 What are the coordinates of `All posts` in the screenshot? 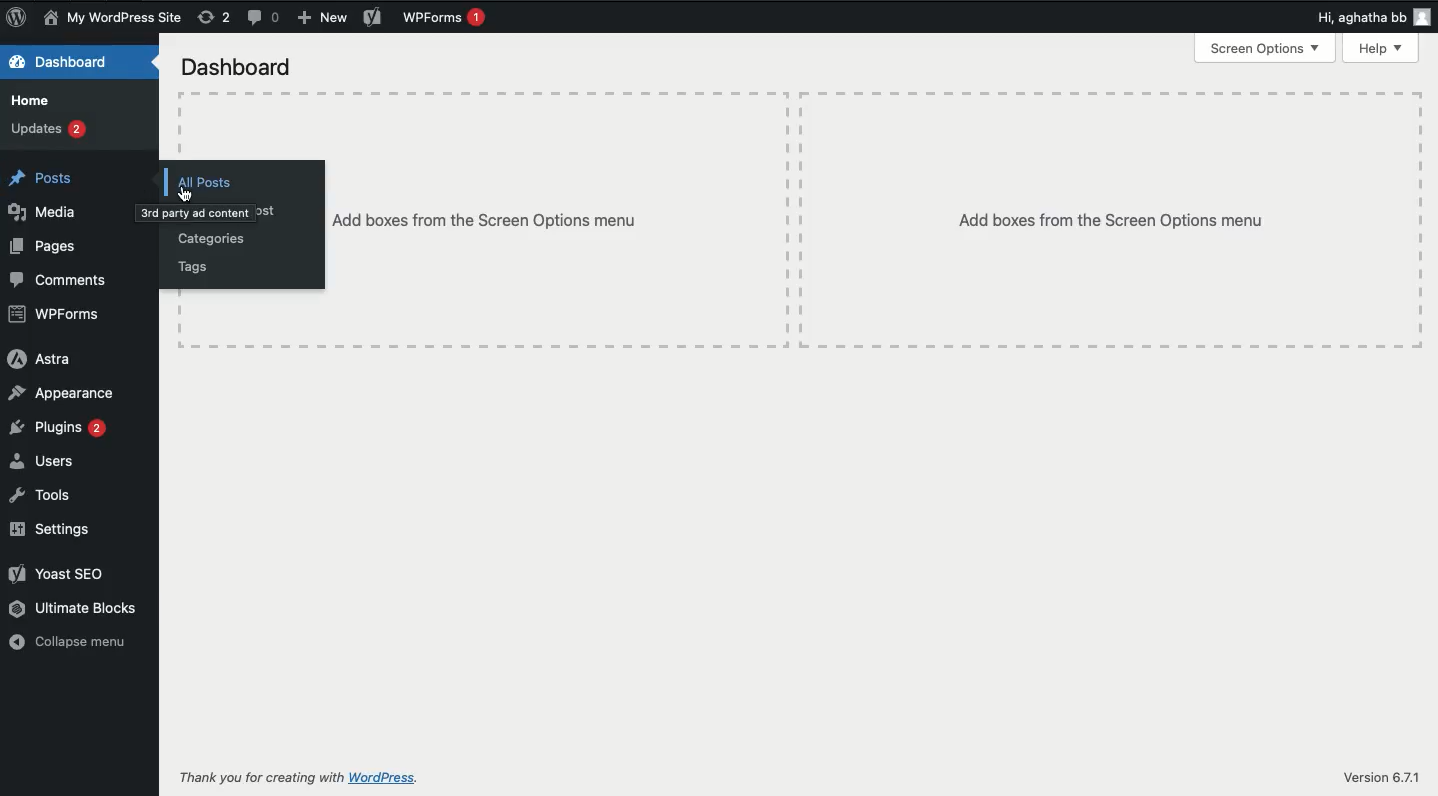 It's located at (206, 183).